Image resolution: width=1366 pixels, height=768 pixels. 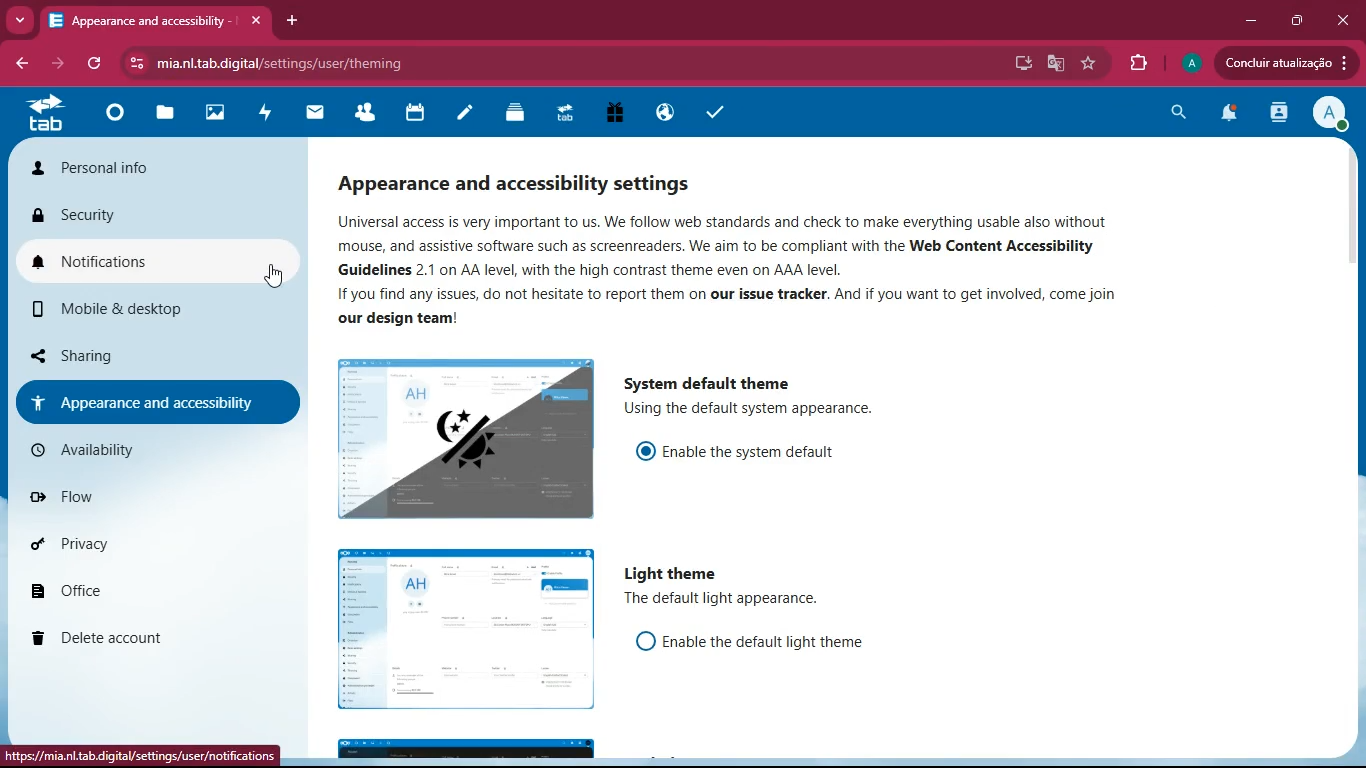 I want to click on home, so click(x=121, y=117).